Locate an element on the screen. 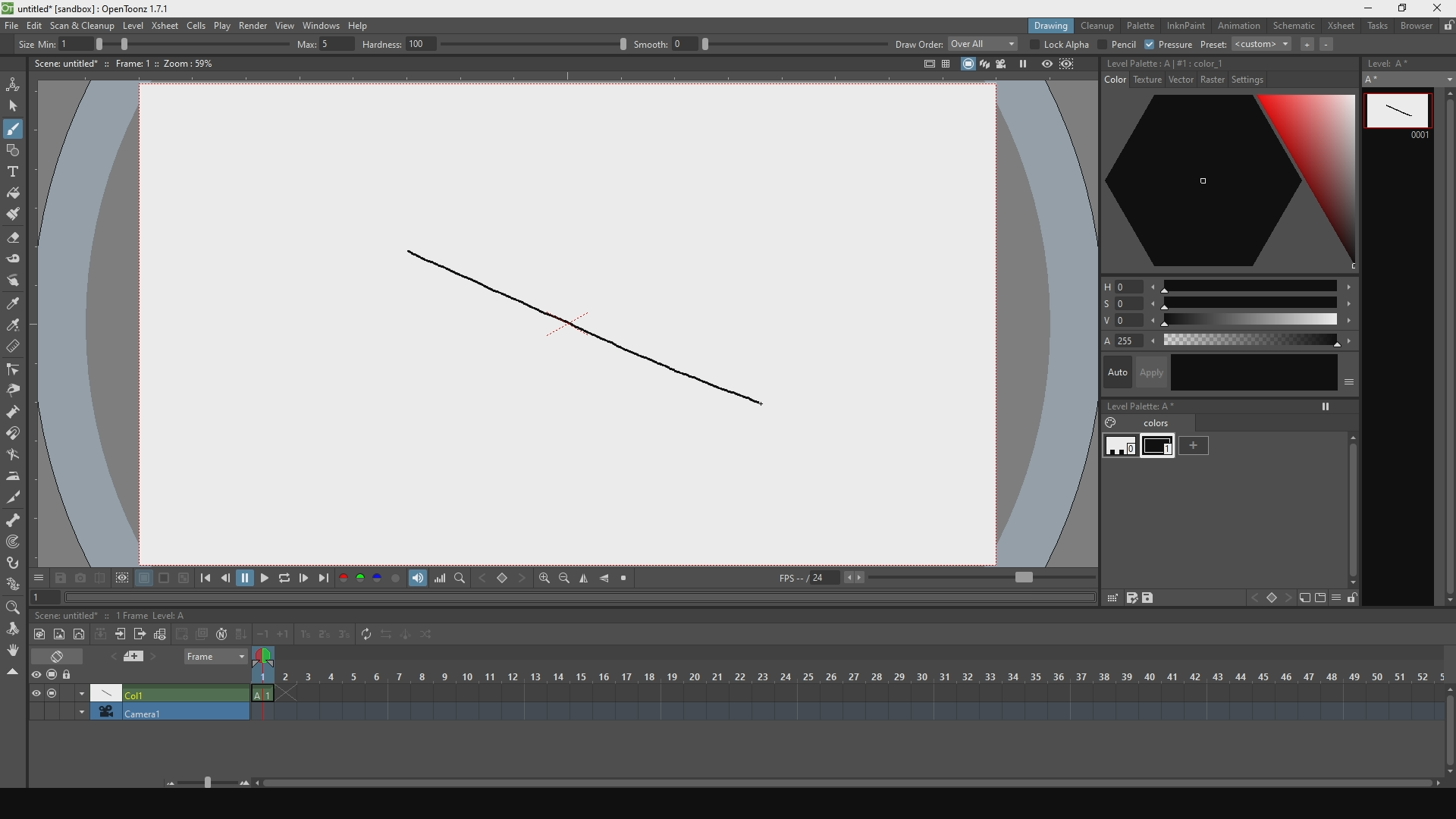 The height and width of the screenshot is (819, 1456). erase is located at coordinates (14, 238).